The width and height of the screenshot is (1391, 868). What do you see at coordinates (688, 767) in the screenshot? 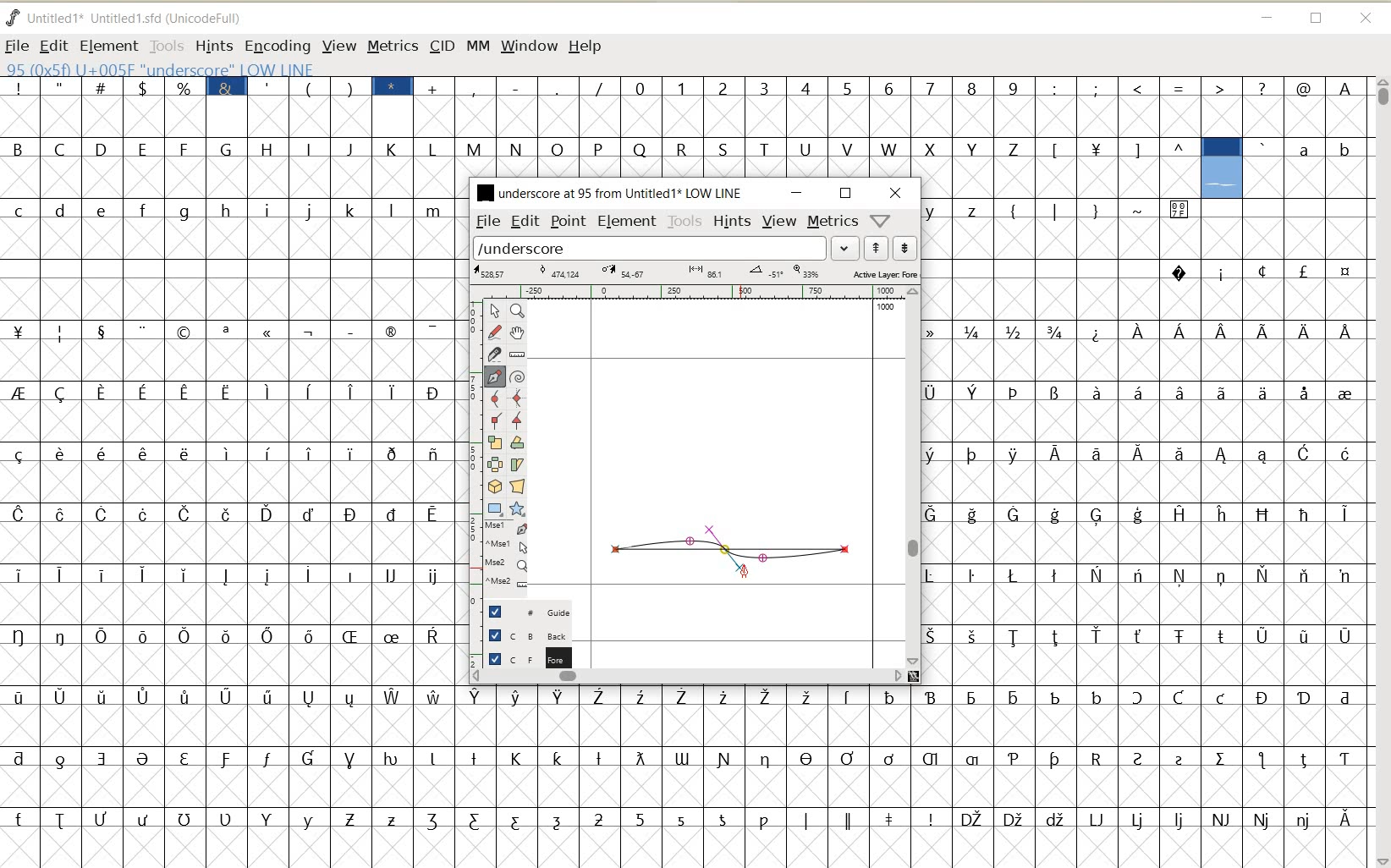
I see `GLYPHY CHARACTERS & NUMBERS` at bounding box center [688, 767].